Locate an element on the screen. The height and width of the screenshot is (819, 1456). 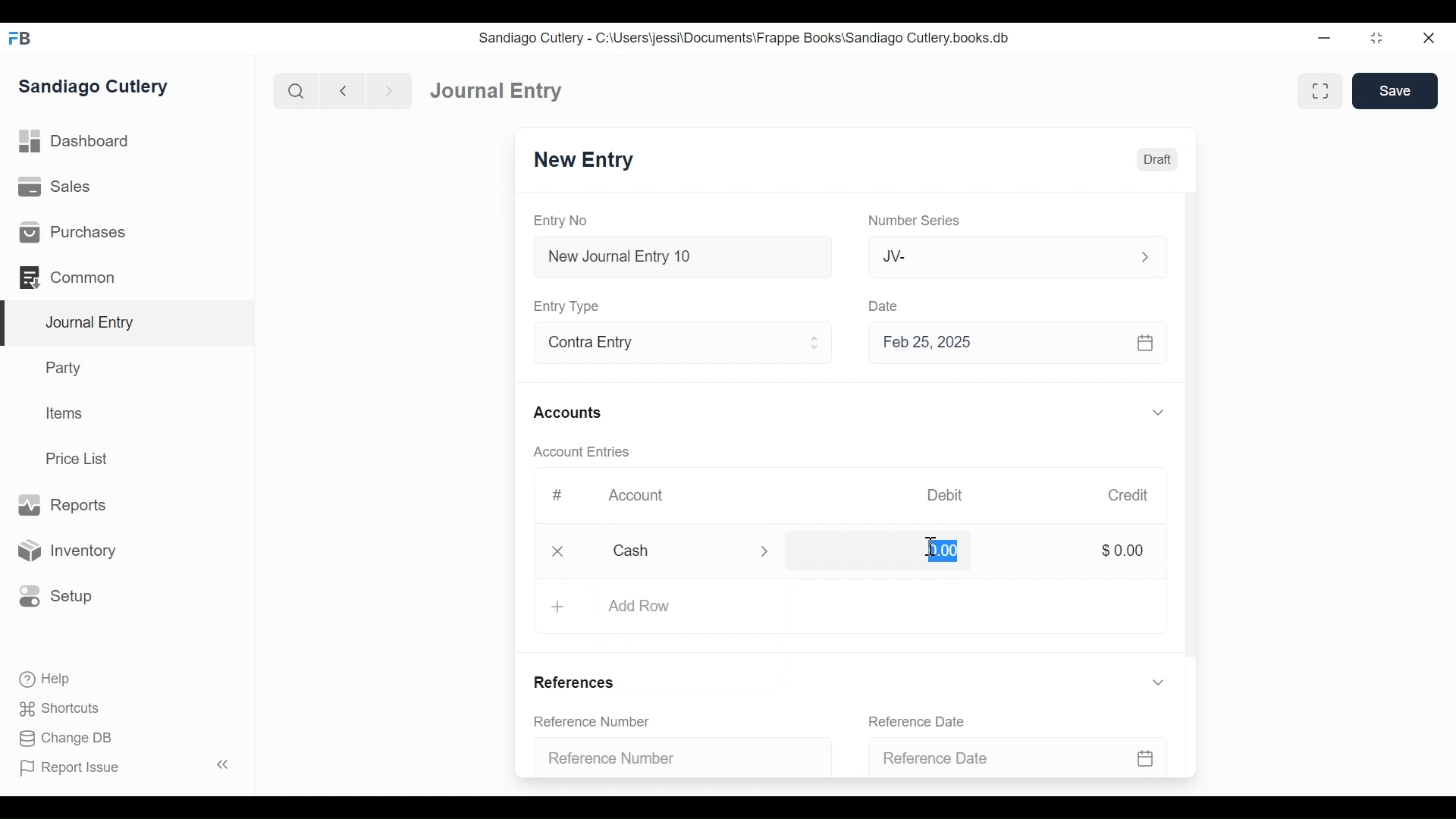
Setup is located at coordinates (56, 595).